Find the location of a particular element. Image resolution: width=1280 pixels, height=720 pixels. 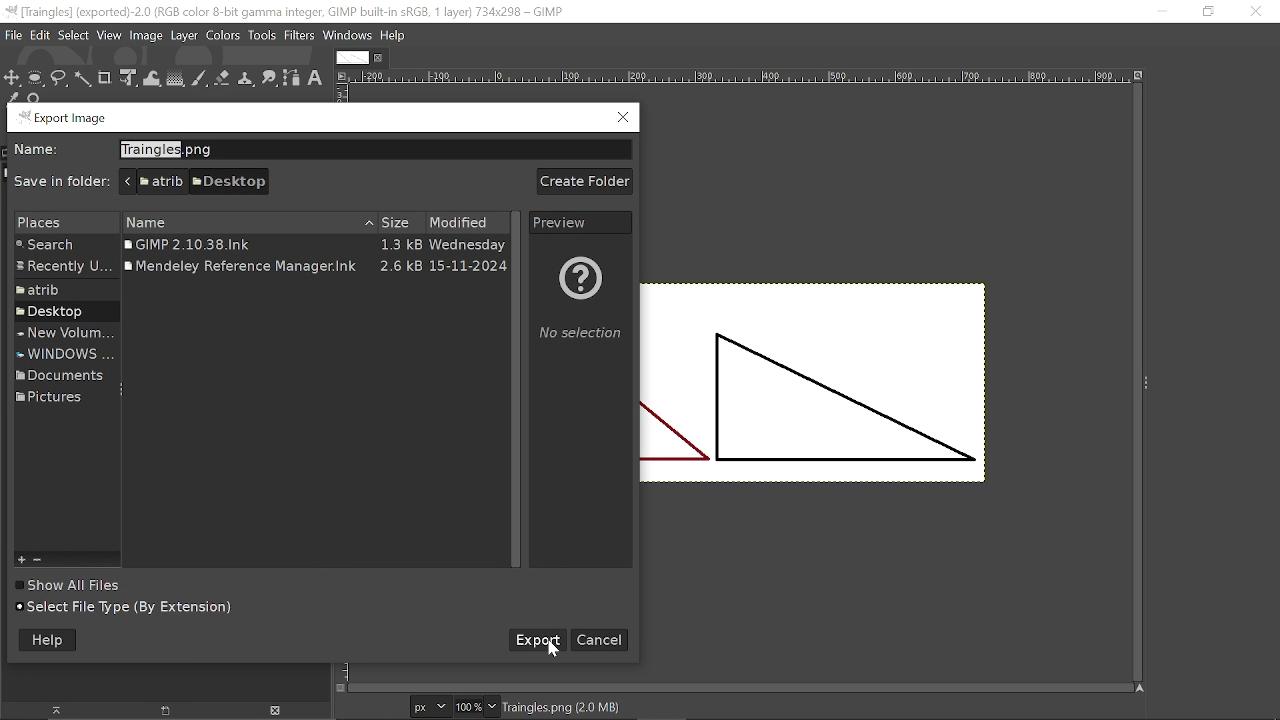

zoom tool is located at coordinates (36, 98).